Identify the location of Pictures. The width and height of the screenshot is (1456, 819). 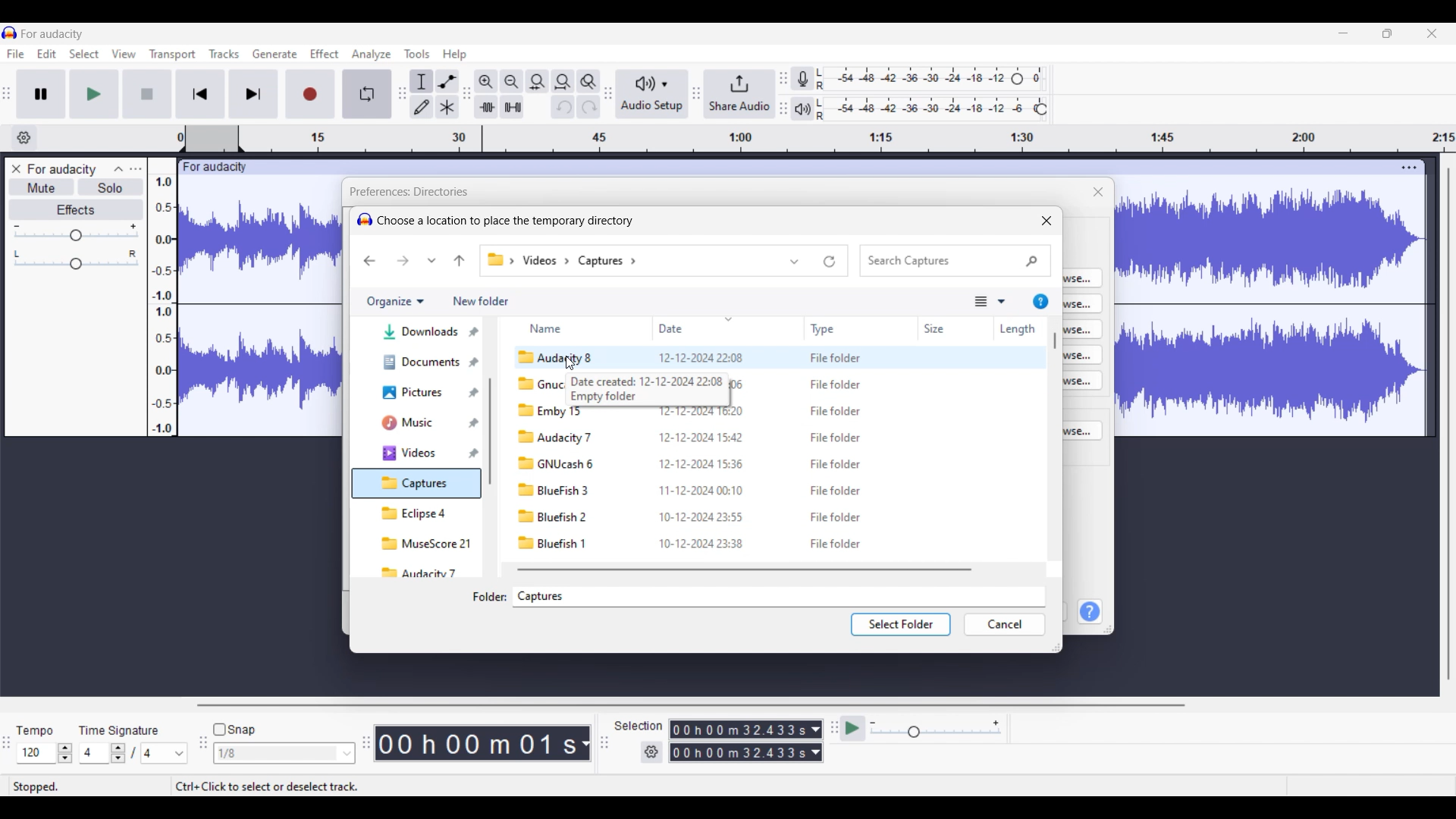
(421, 393).